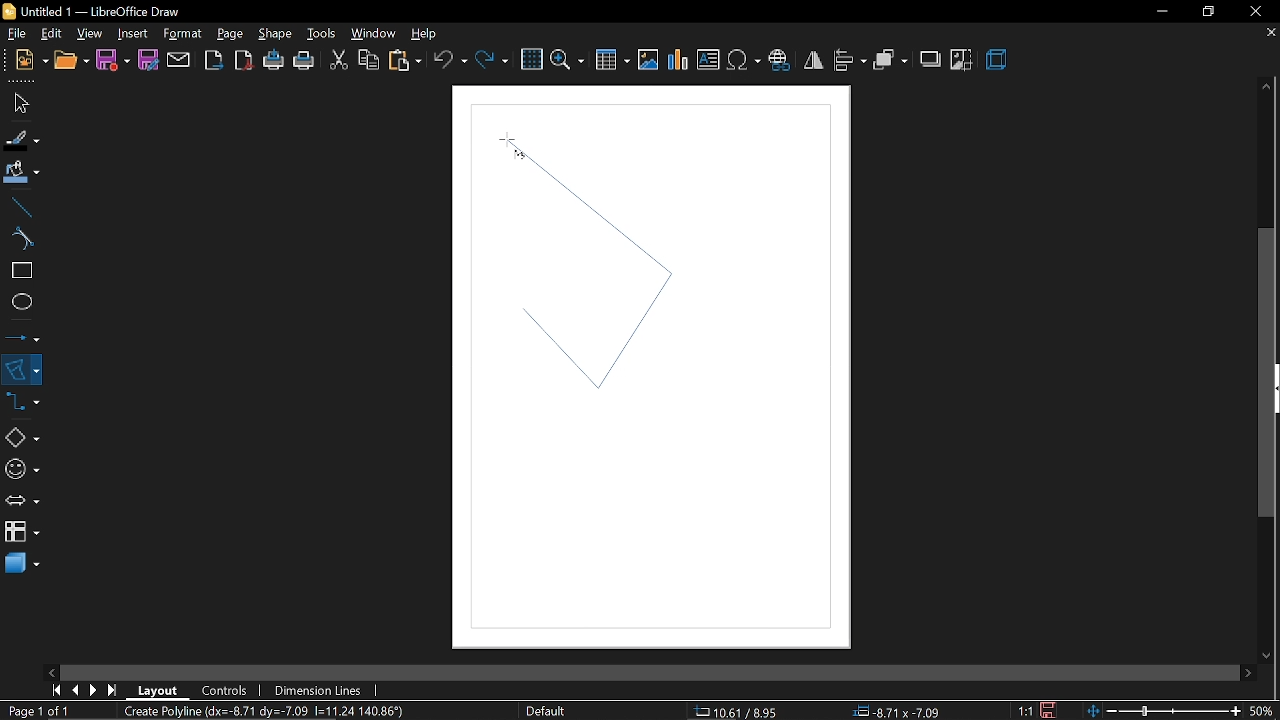 The image size is (1280, 720). What do you see at coordinates (21, 532) in the screenshot?
I see `flowchart` at bounding box center [21, 532].